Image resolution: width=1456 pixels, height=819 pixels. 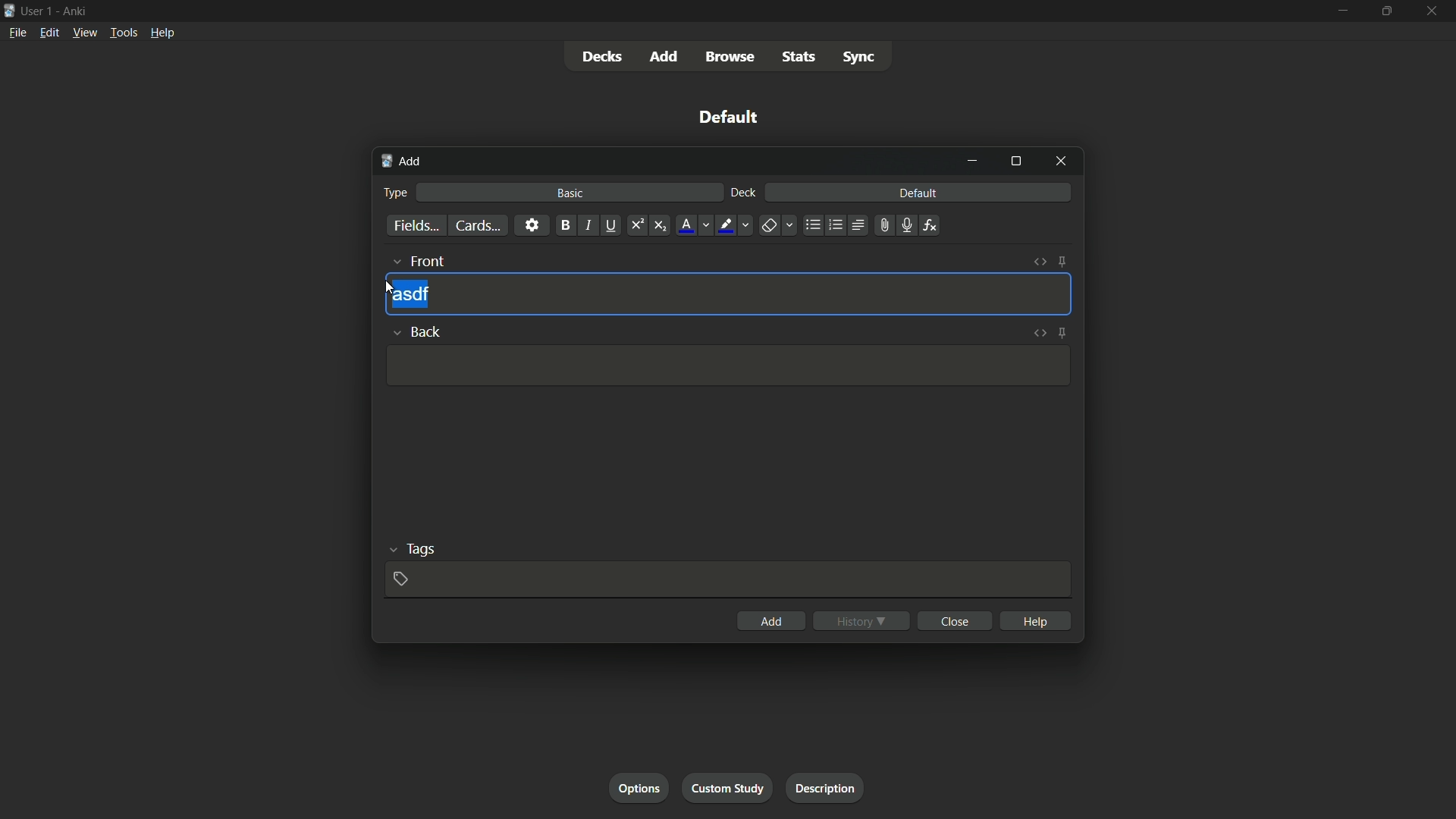 I want to click on toggle html editor, so click(x=1040, y=262).